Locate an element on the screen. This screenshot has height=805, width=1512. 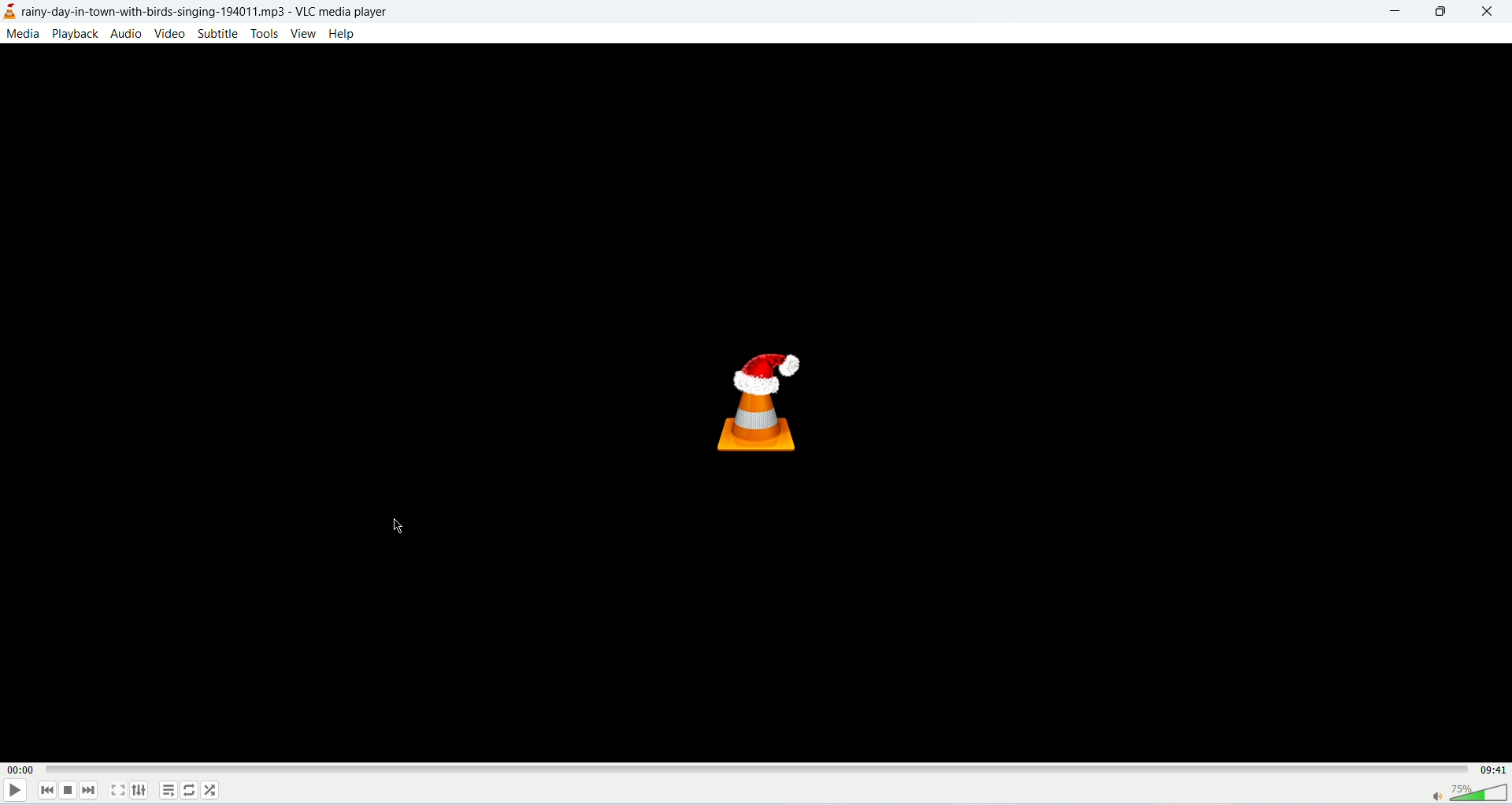
mouse cursor is located at coordinates (398, 527).